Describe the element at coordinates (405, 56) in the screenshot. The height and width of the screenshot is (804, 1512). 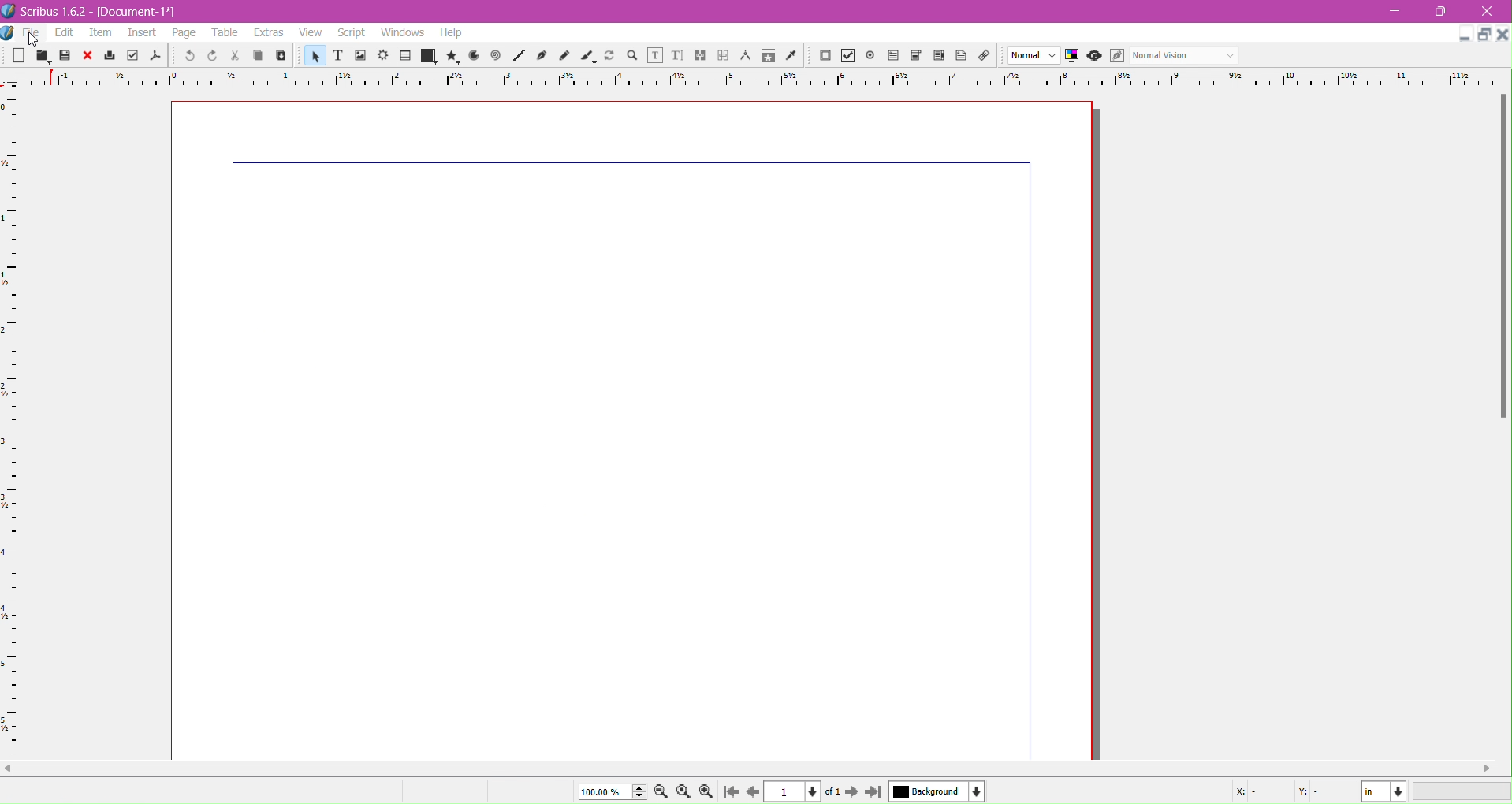
I see `table` at that location.